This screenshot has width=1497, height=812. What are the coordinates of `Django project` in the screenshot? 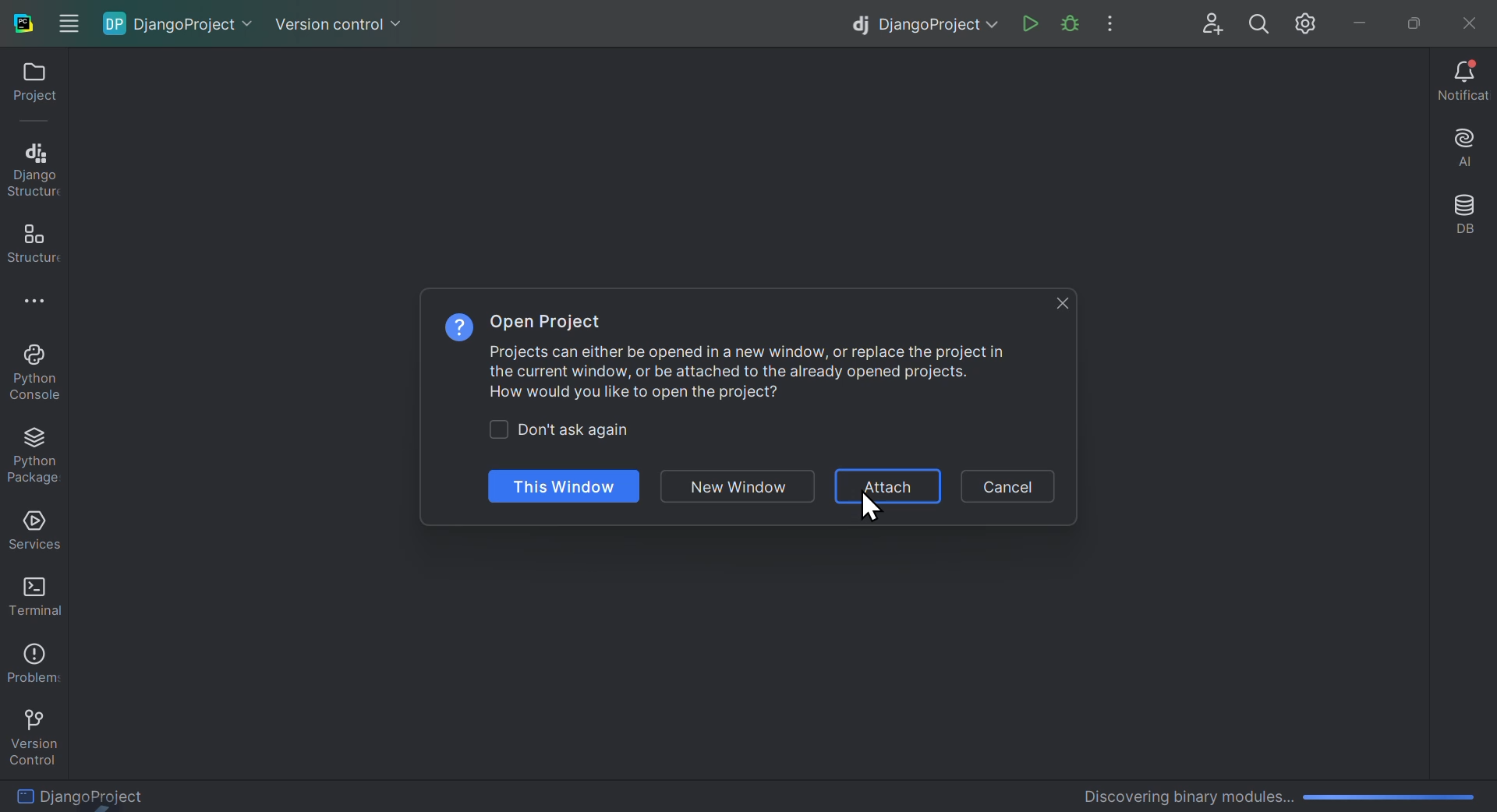 It's located at (918, 23).